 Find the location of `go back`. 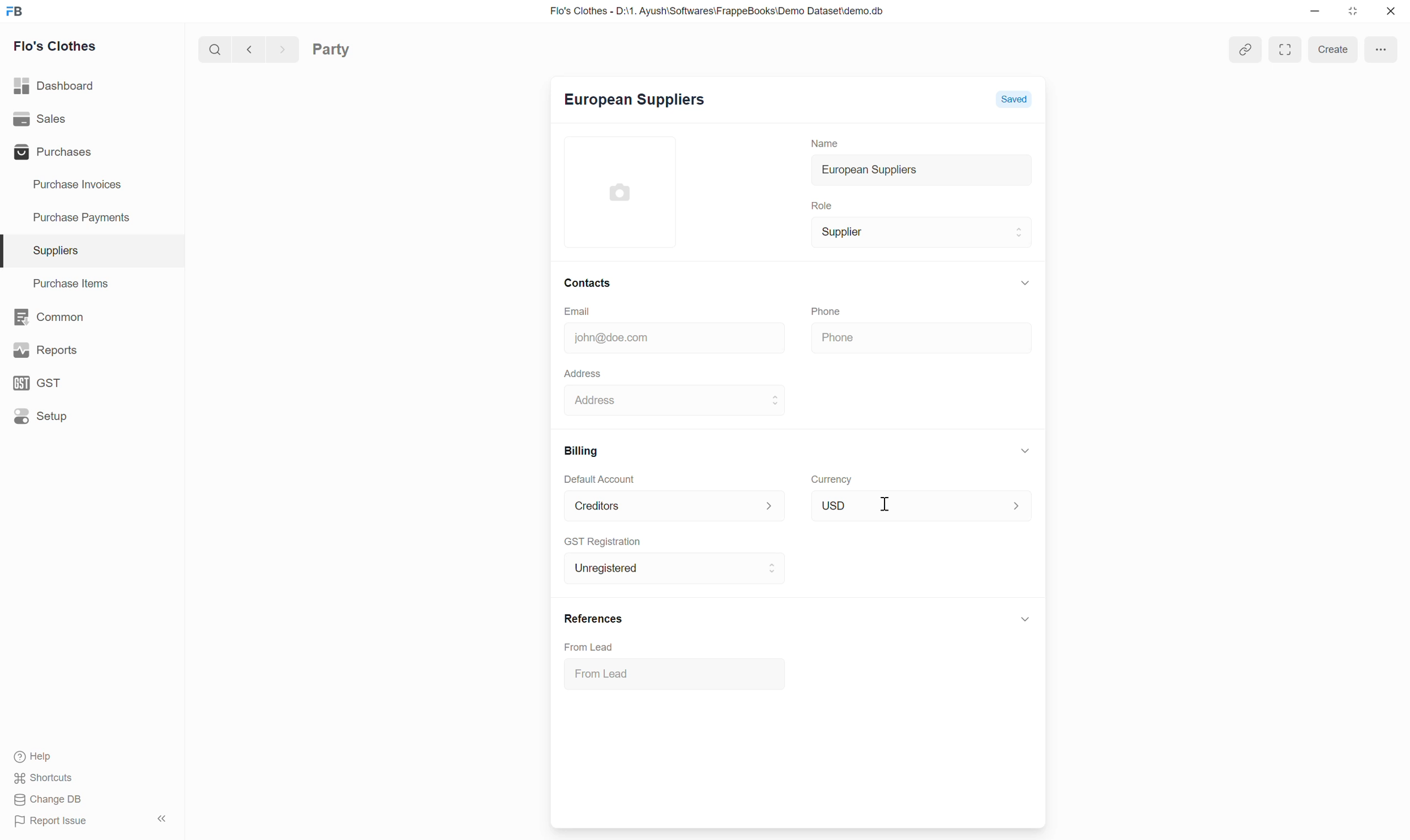

go back is located at coordinates (245, 48).